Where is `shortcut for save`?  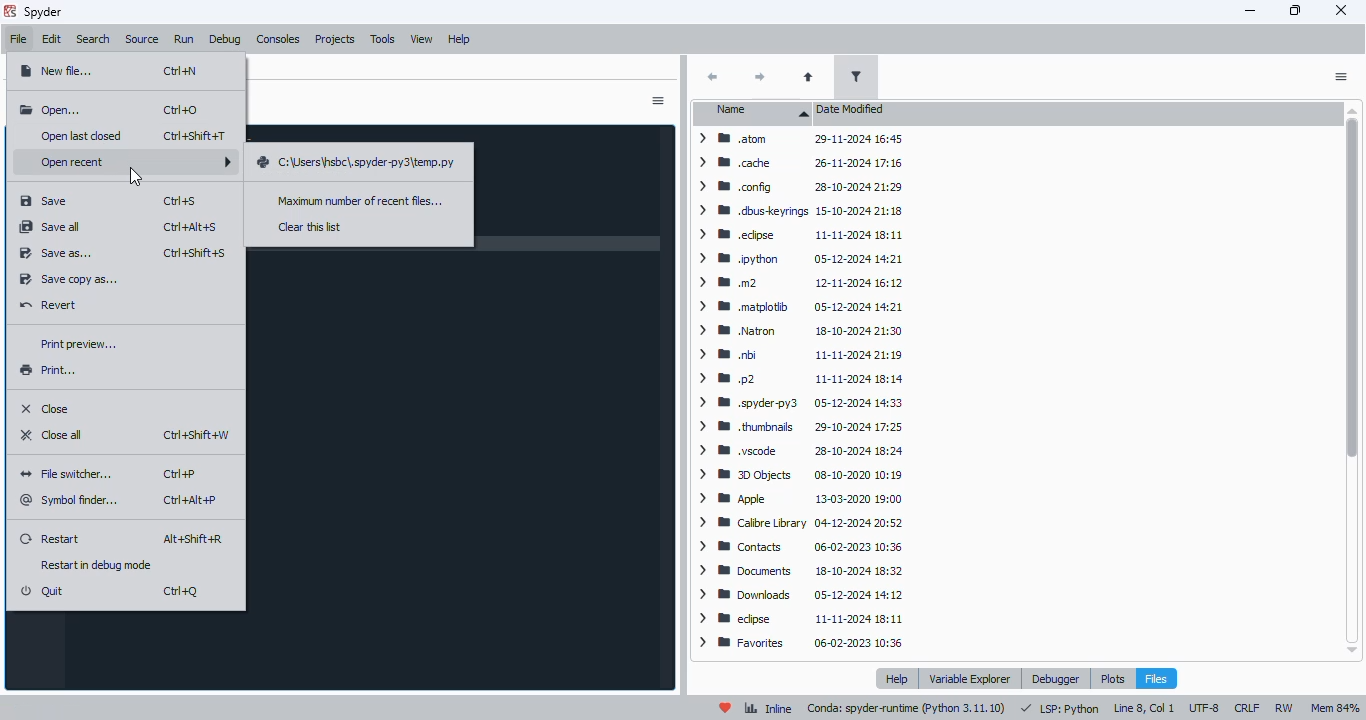 shortcut for save is located at coordinates (181, 201).